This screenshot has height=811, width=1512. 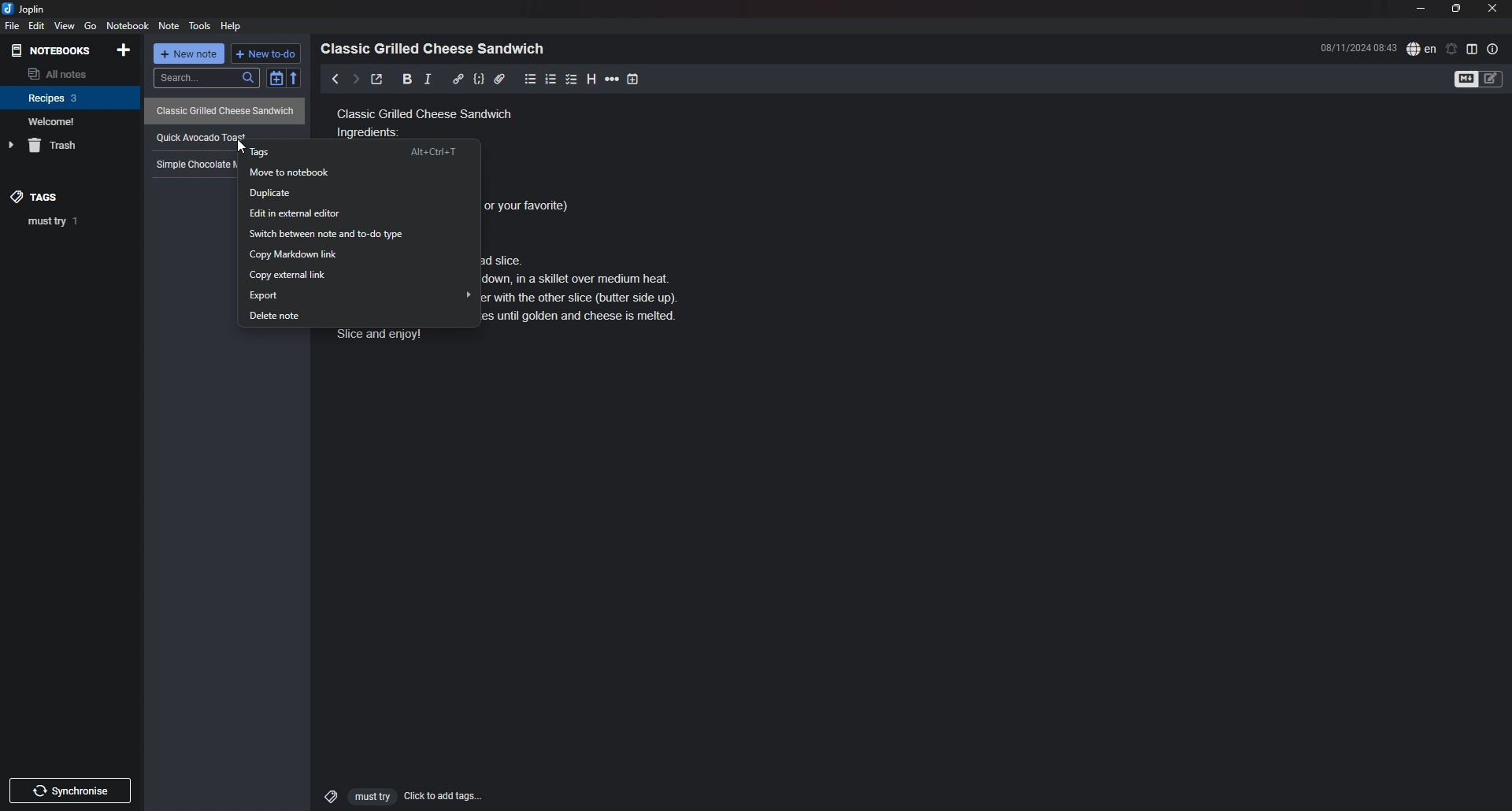 I want to click on toggle editor layout, so click(x=1473, y=49).